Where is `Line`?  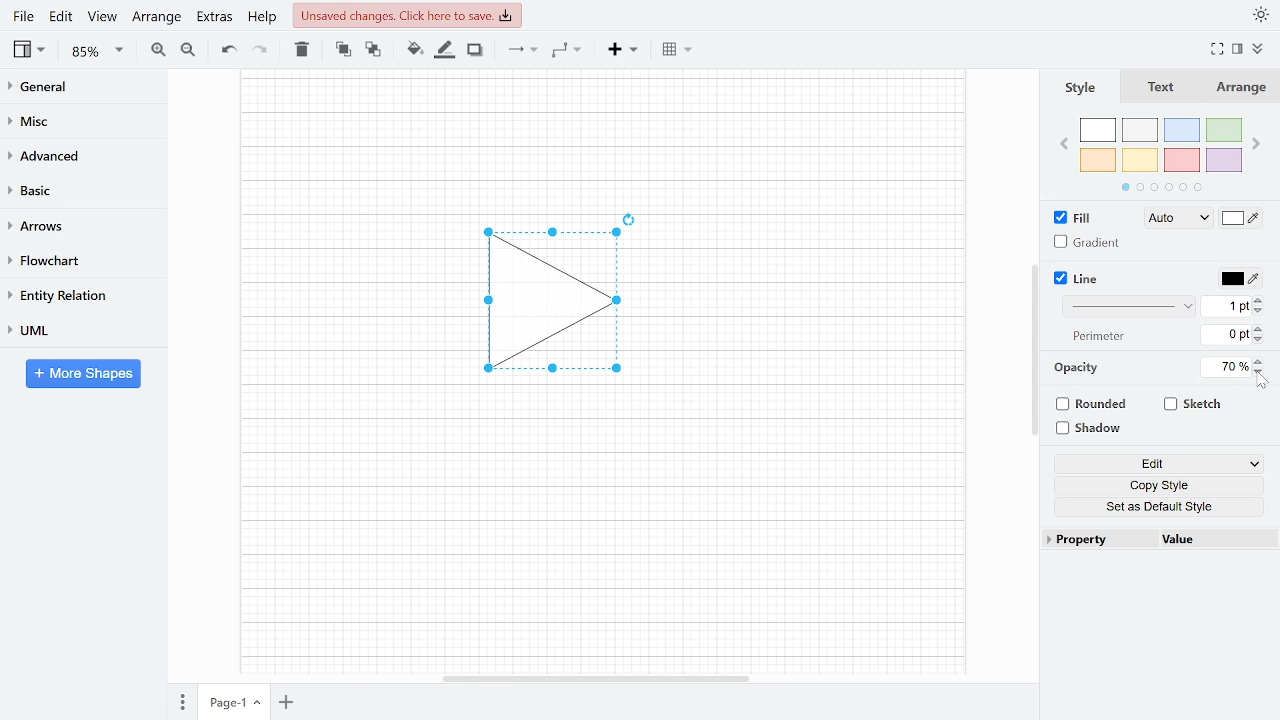
Line is located at coordinates (1078, 279).